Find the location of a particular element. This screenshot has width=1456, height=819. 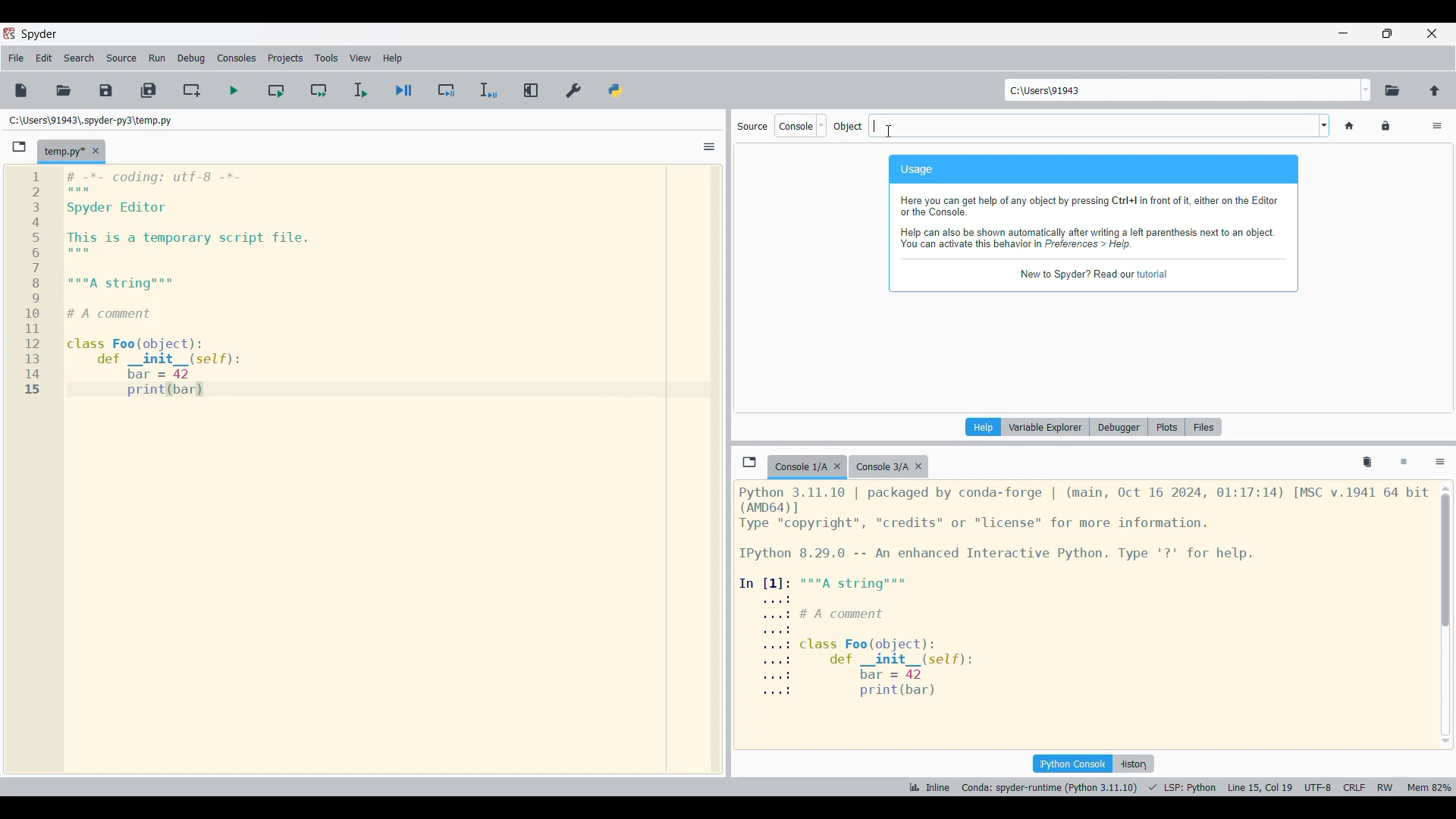

Save file is located at coordinates (105, 91).